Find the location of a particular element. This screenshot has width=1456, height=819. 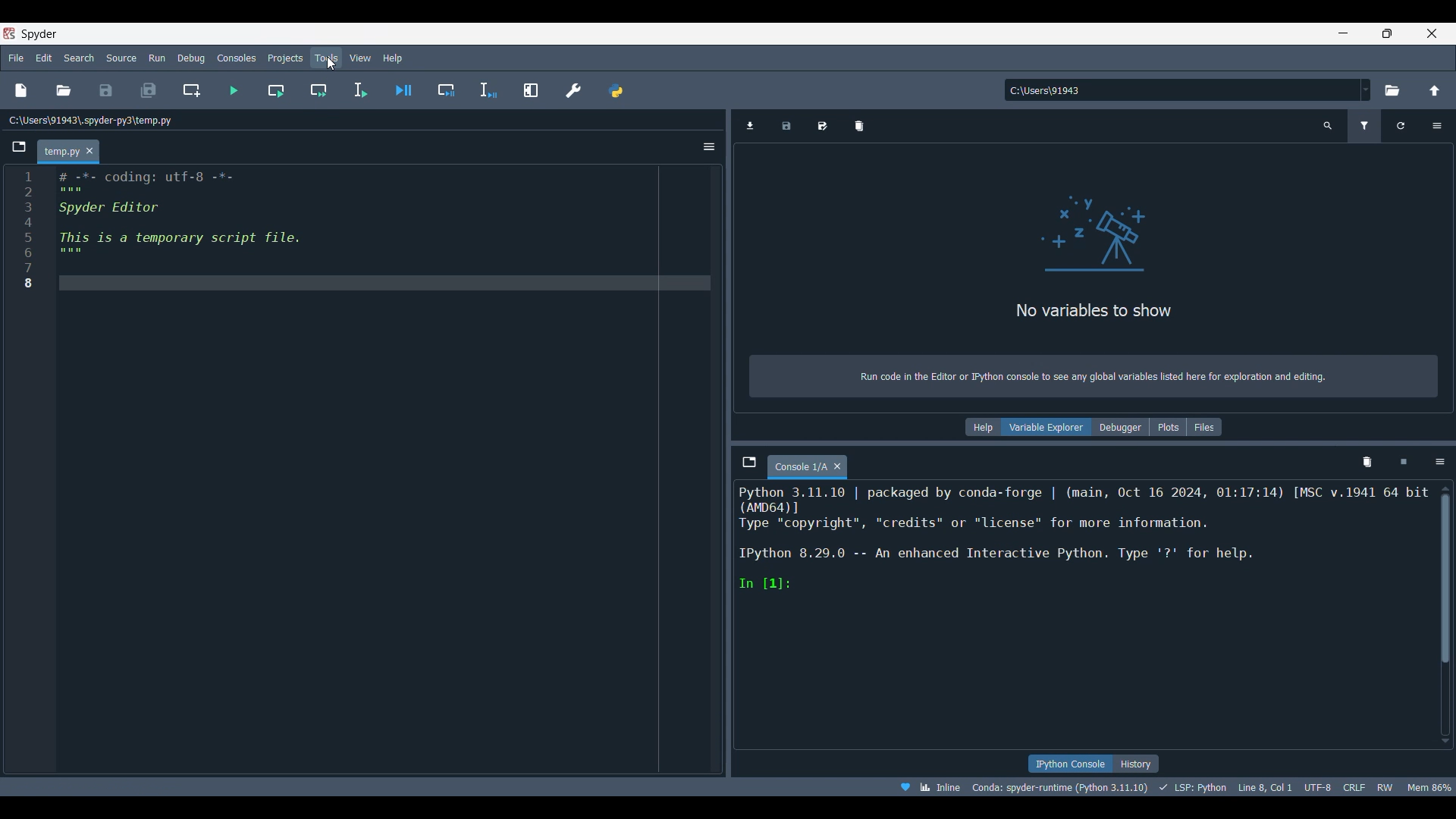

cursor details is located at coordinates (1263, 786).